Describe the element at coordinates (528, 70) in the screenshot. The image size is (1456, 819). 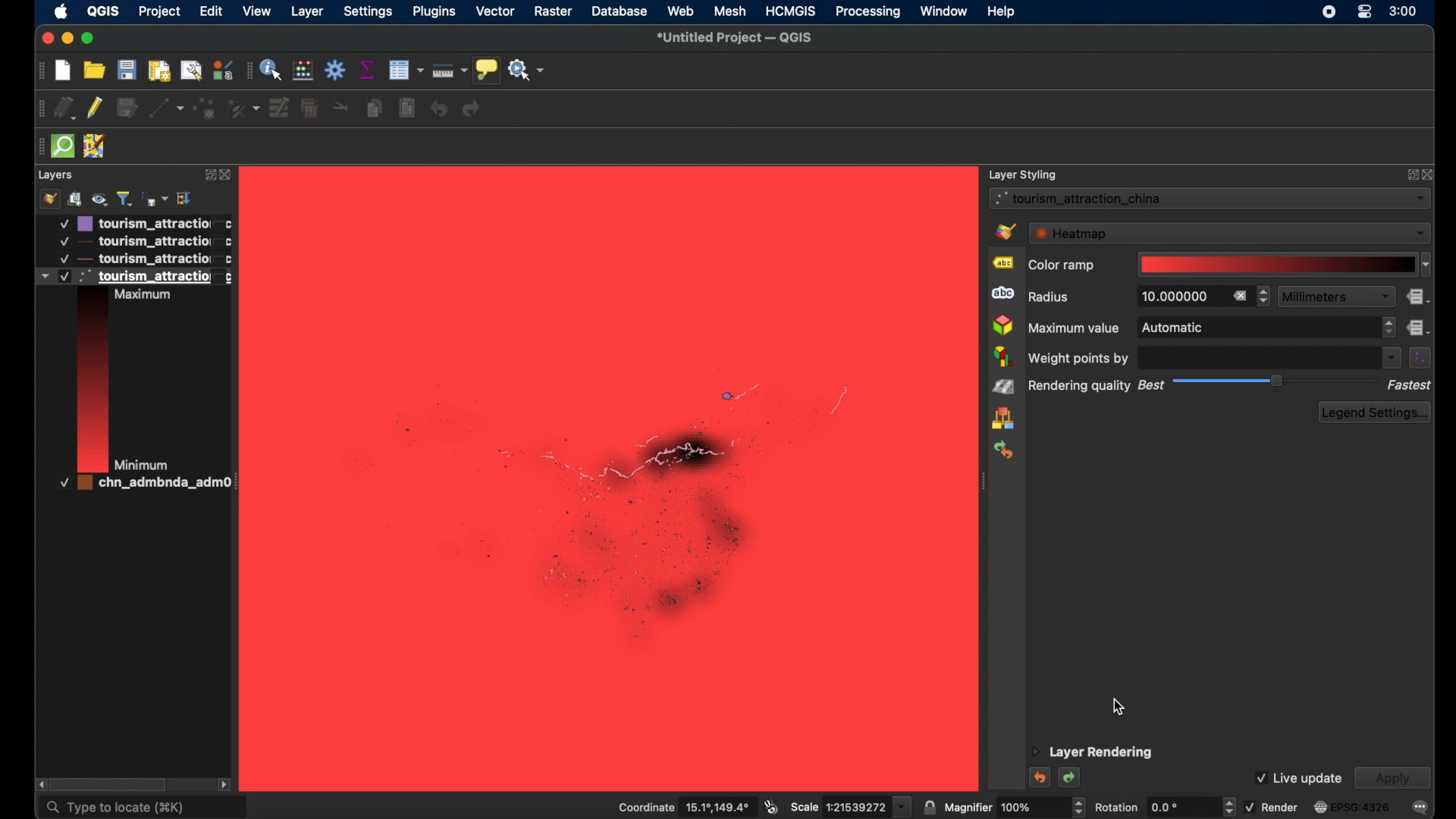
I see `no action selected ` at that location.